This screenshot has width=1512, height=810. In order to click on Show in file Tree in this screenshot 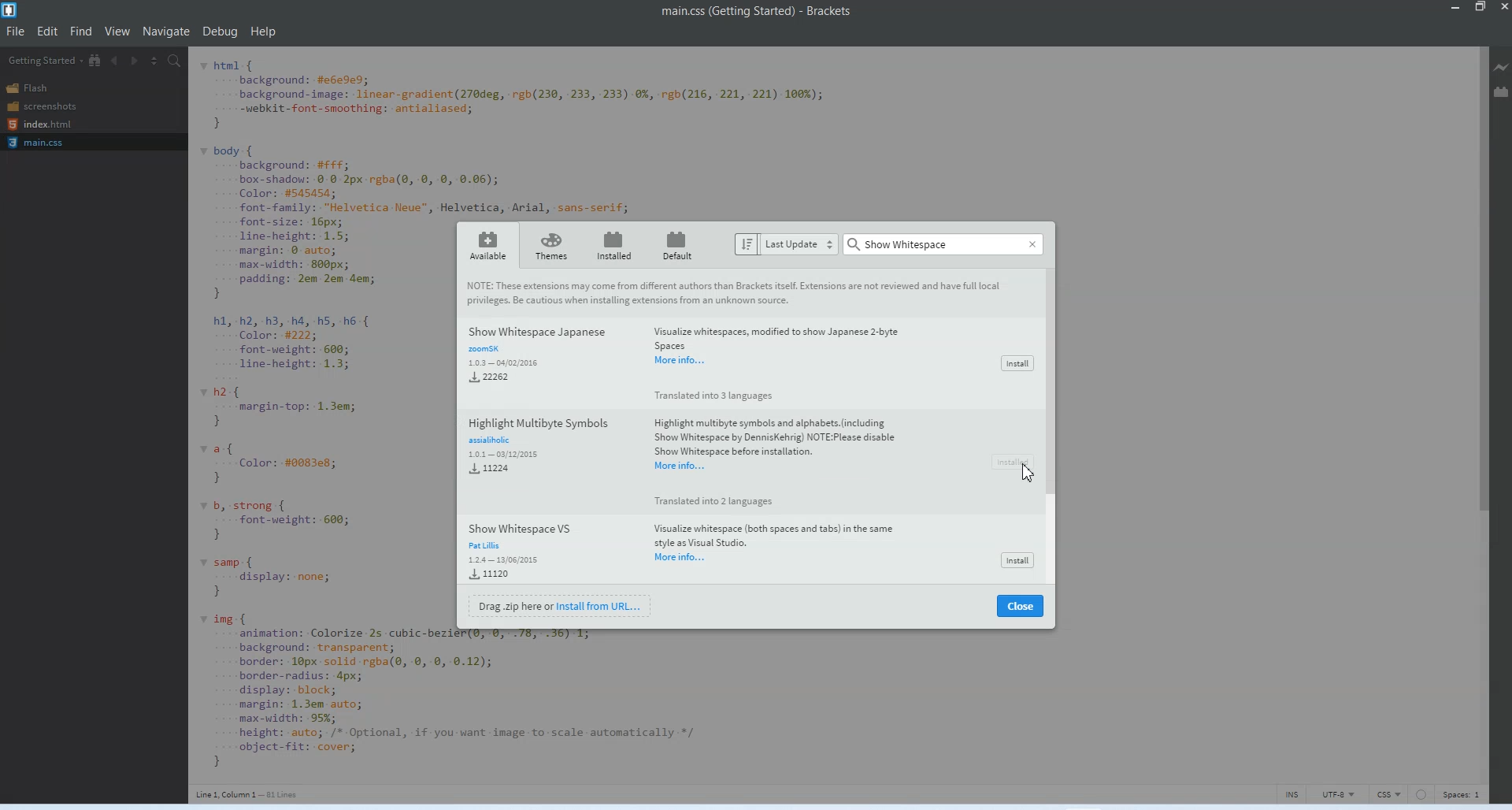, I will do `click(95, 61)`.